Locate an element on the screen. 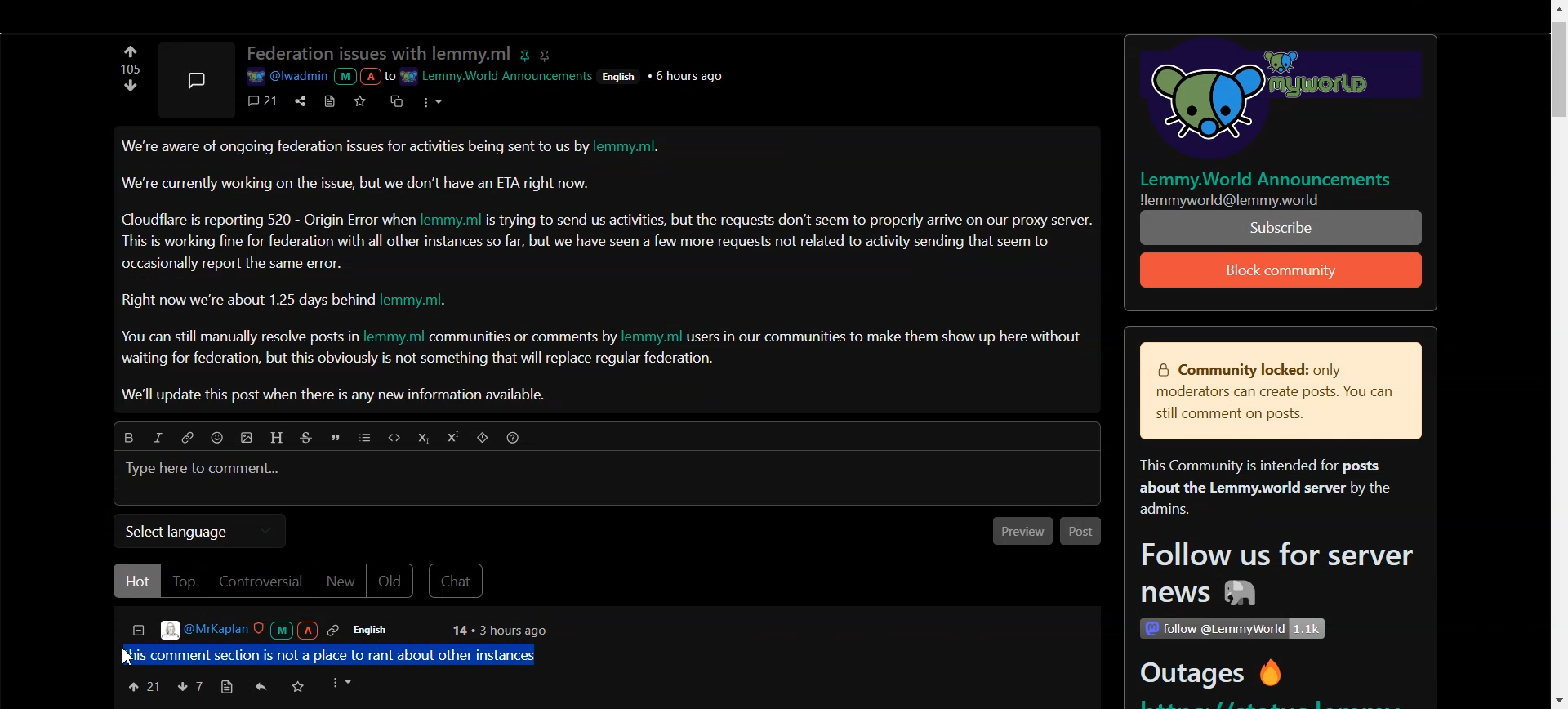 The height and width of the screenshot is (709, 1568).  is located at coordinates (1232, 629).